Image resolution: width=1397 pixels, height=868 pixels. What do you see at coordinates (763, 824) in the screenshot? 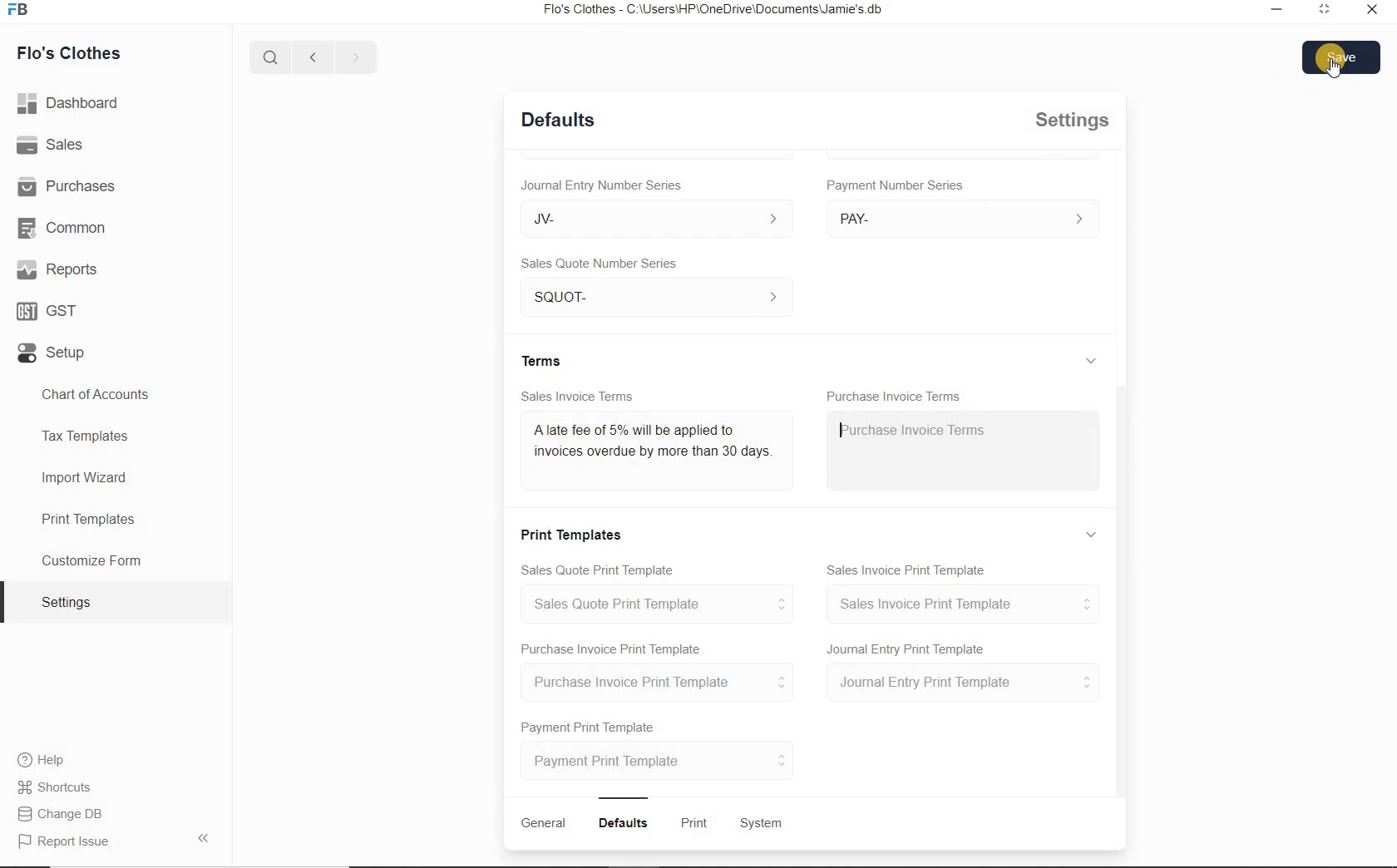
I see `System` at bounding box center [763, 824].